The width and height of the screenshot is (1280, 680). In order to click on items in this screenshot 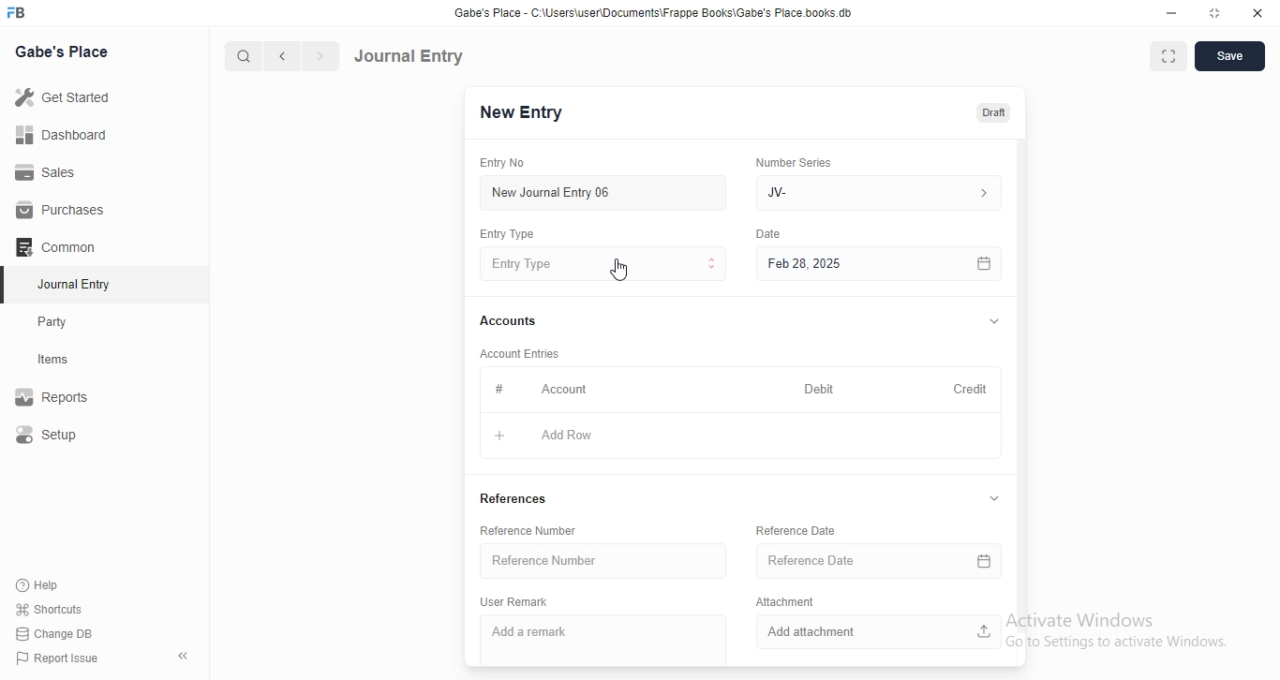, I will do `click(66, 361)`.